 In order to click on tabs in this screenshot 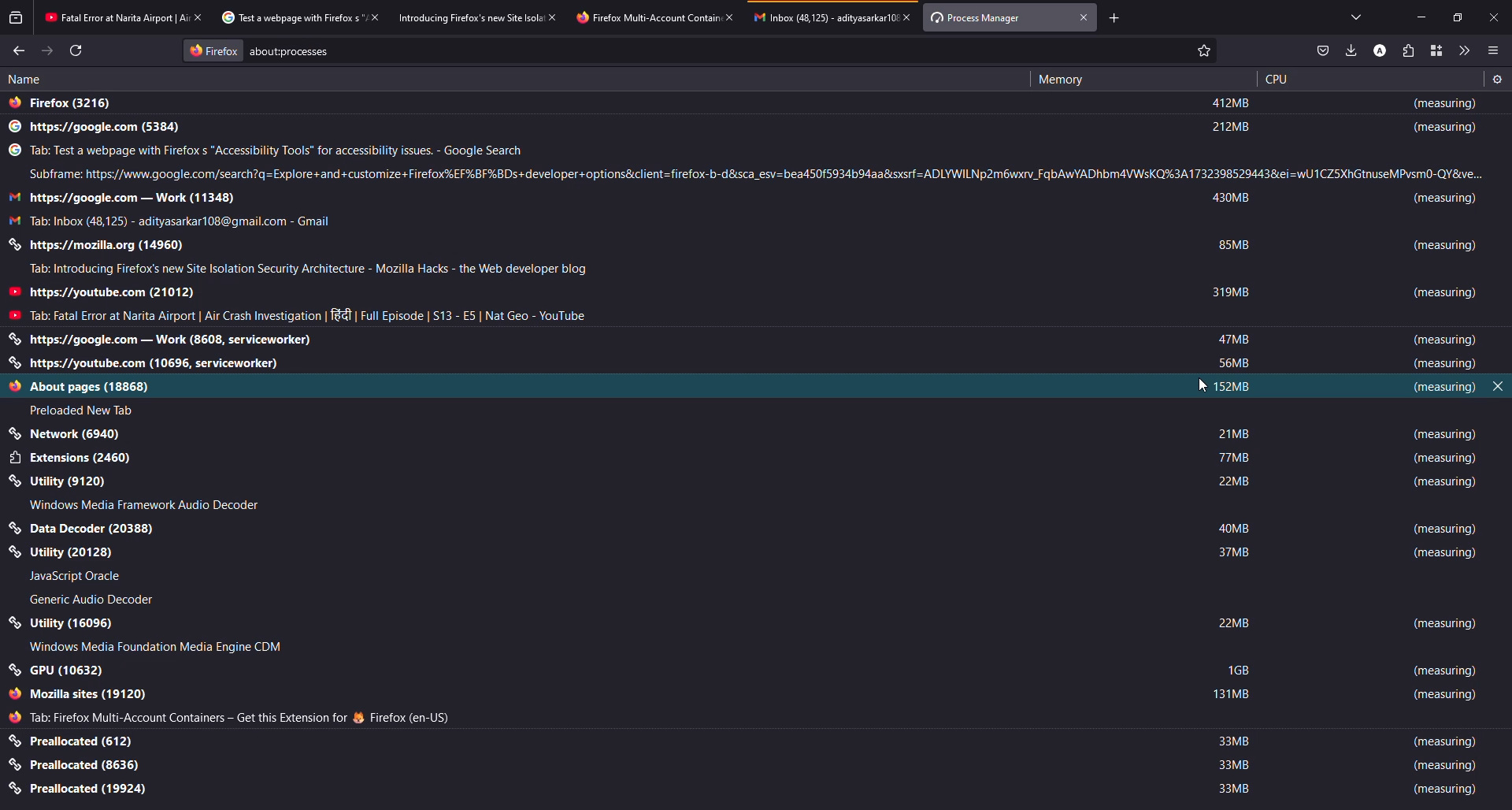, I will do `click(1352, 16)`.